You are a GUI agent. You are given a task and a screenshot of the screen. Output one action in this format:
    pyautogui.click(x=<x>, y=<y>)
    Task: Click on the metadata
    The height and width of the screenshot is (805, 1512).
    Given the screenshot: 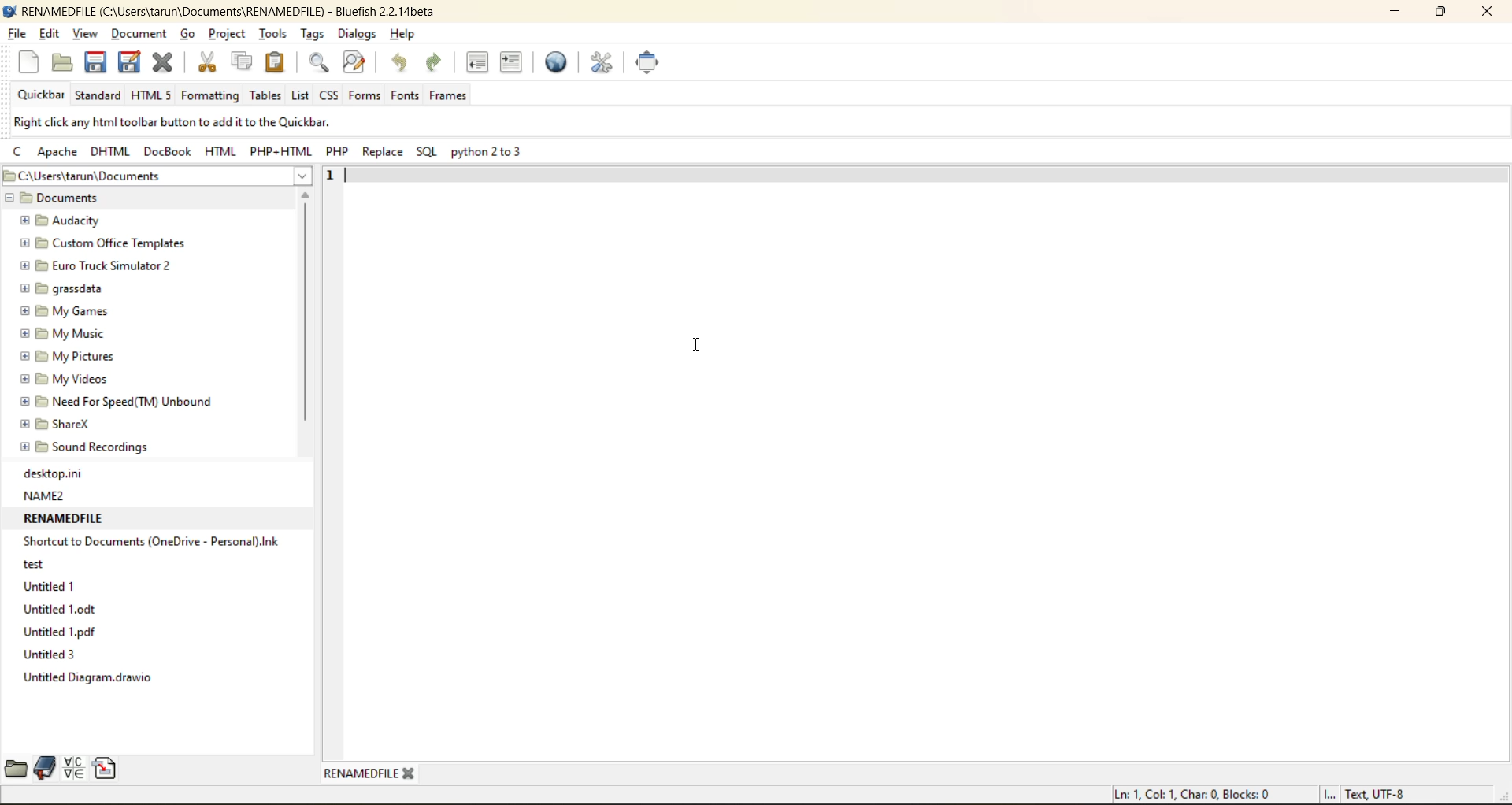 What is the action you would take?
    pyautogui.click(x=198, y=123)
    